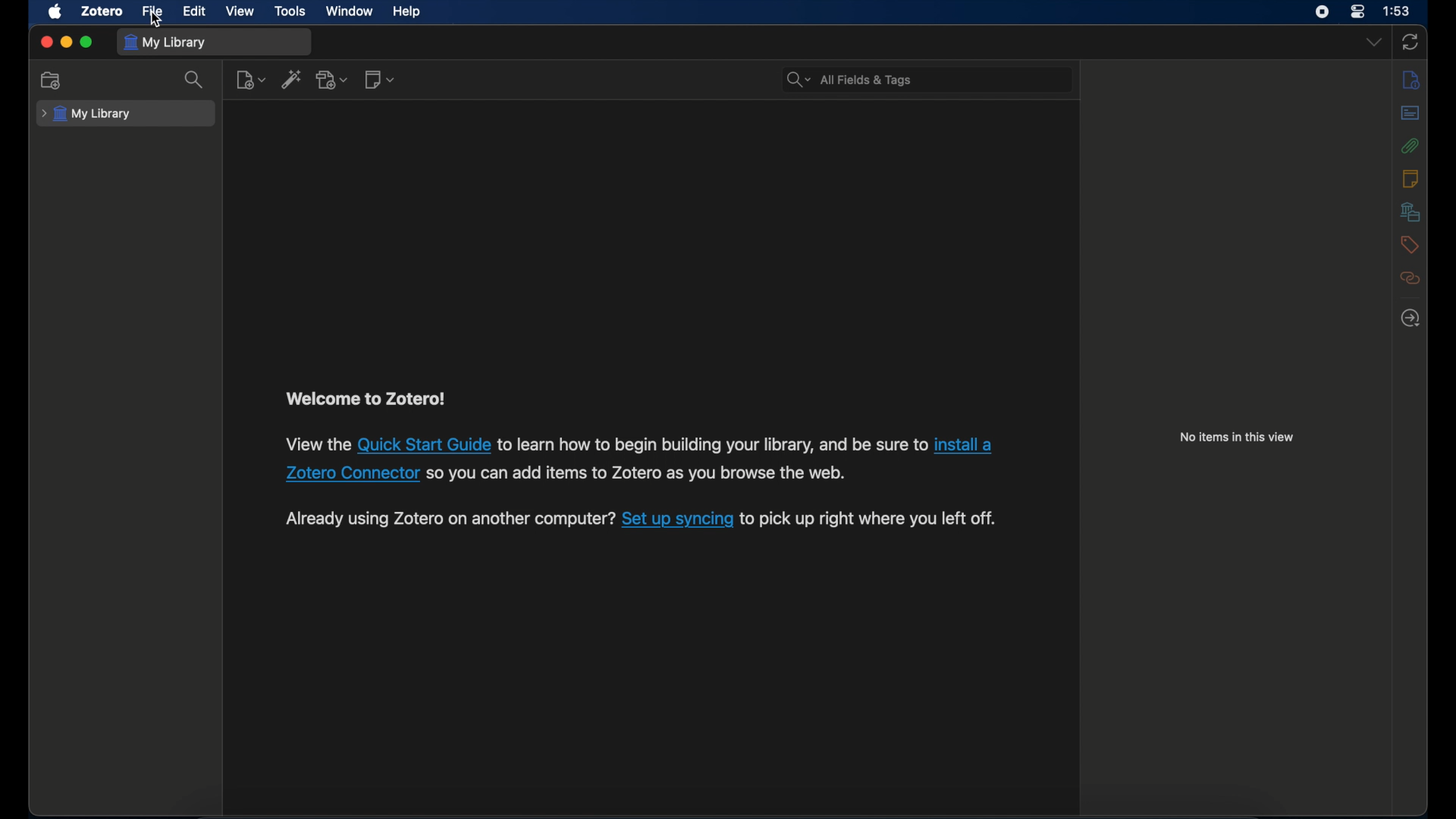 Image resolution: width=1456 pixels, height=819 pixels. What do you see at coordinates (677, 519) in the screenshot?
I see `Set up syncing` at bounding box center [677, 519].